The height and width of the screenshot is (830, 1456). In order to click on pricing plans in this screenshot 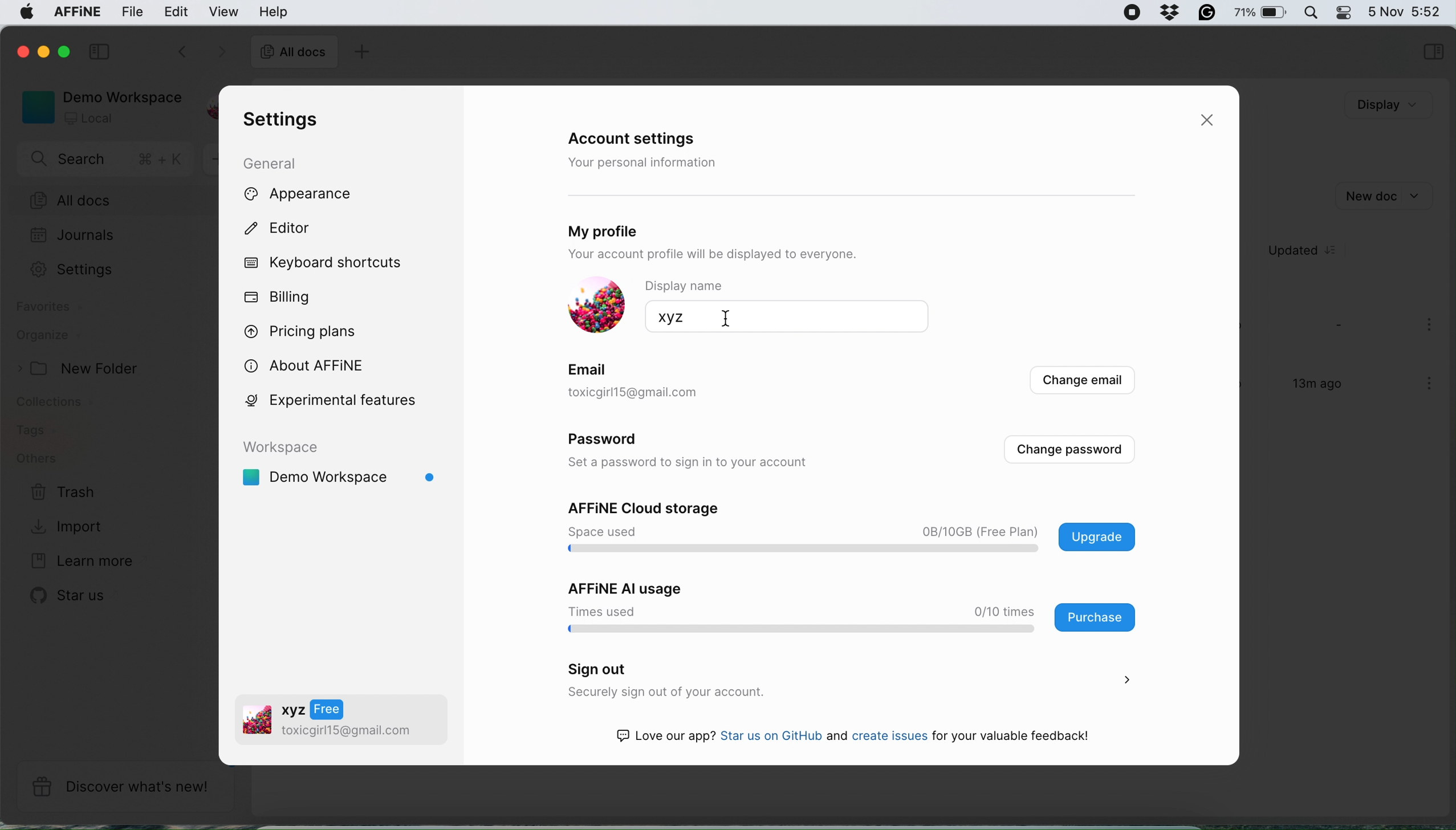, I will do `click(308, 329)`.